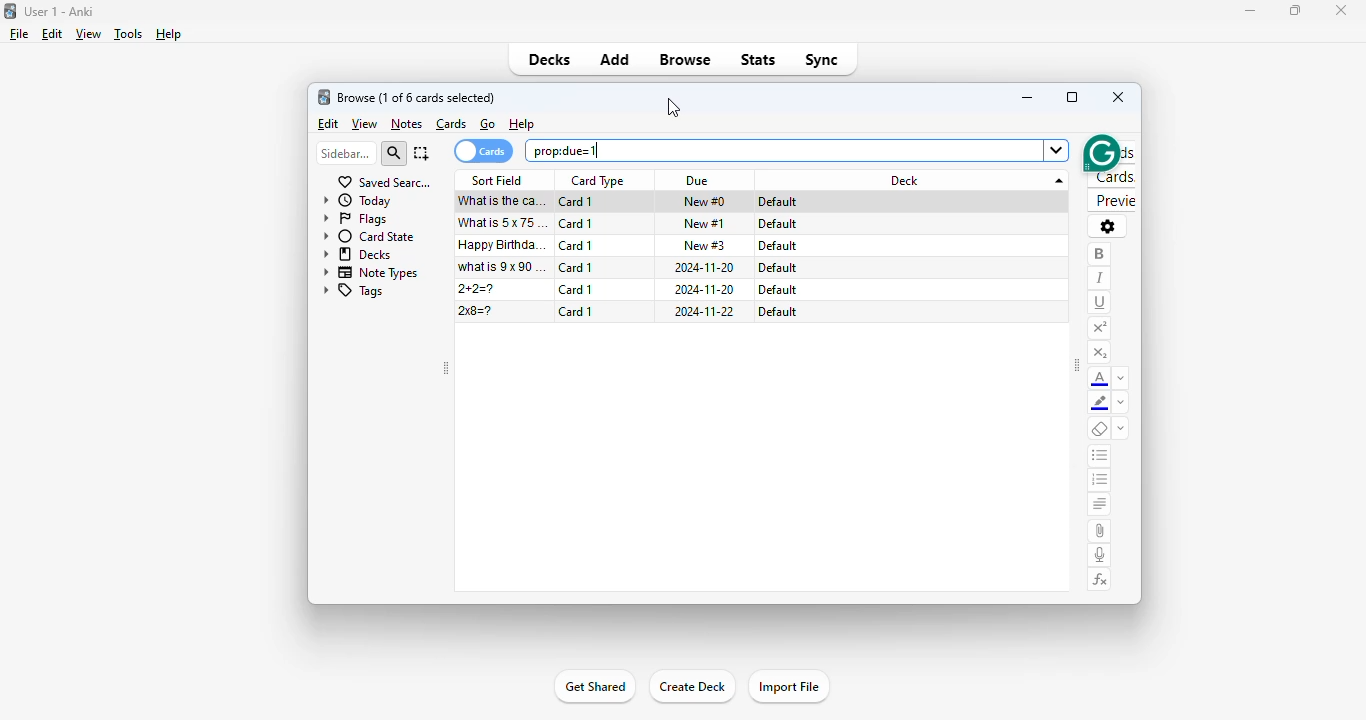  I want to click on edit, so click(329, 123).